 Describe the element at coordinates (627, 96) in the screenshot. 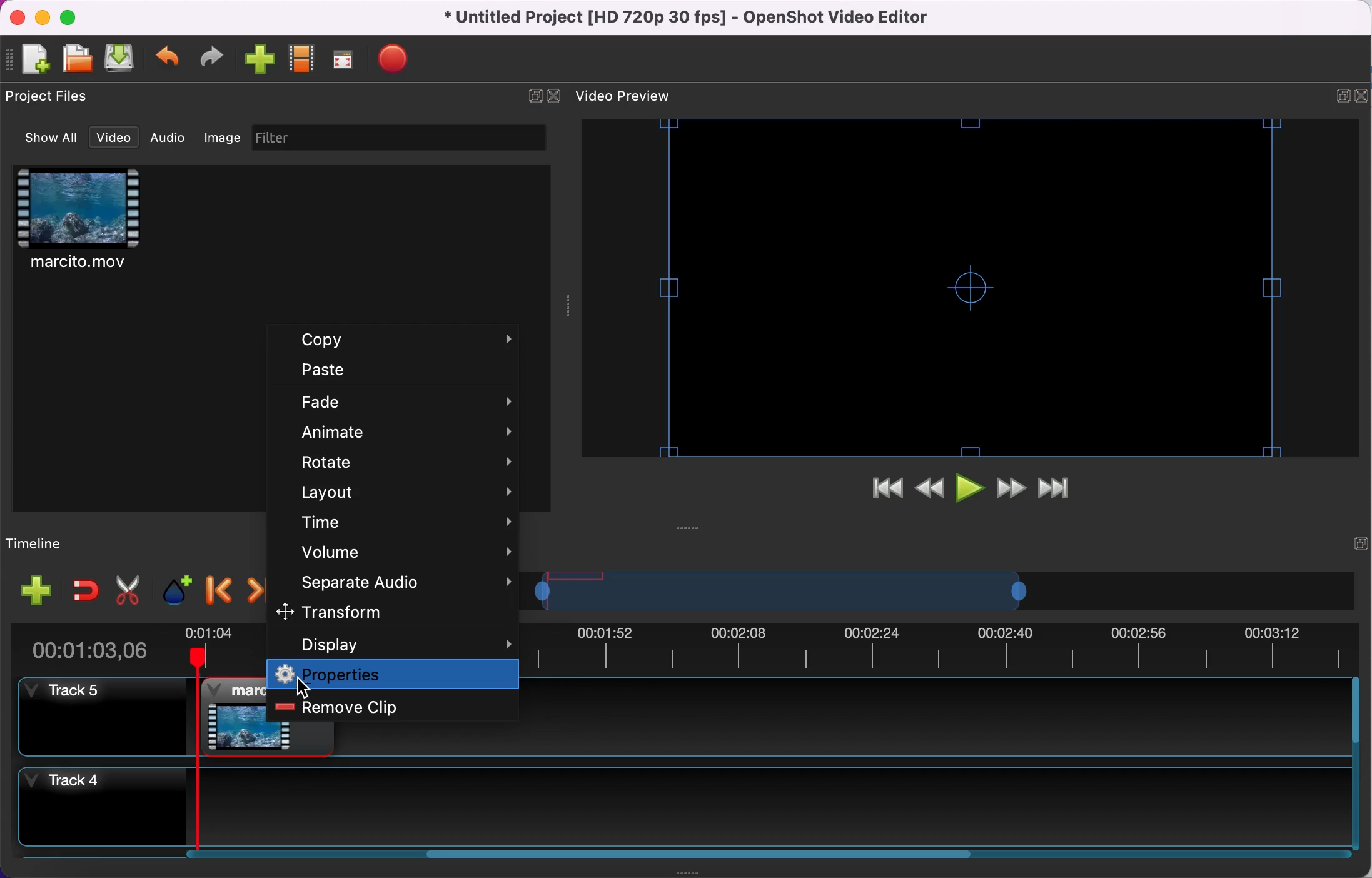

I see `video preview` at that location.